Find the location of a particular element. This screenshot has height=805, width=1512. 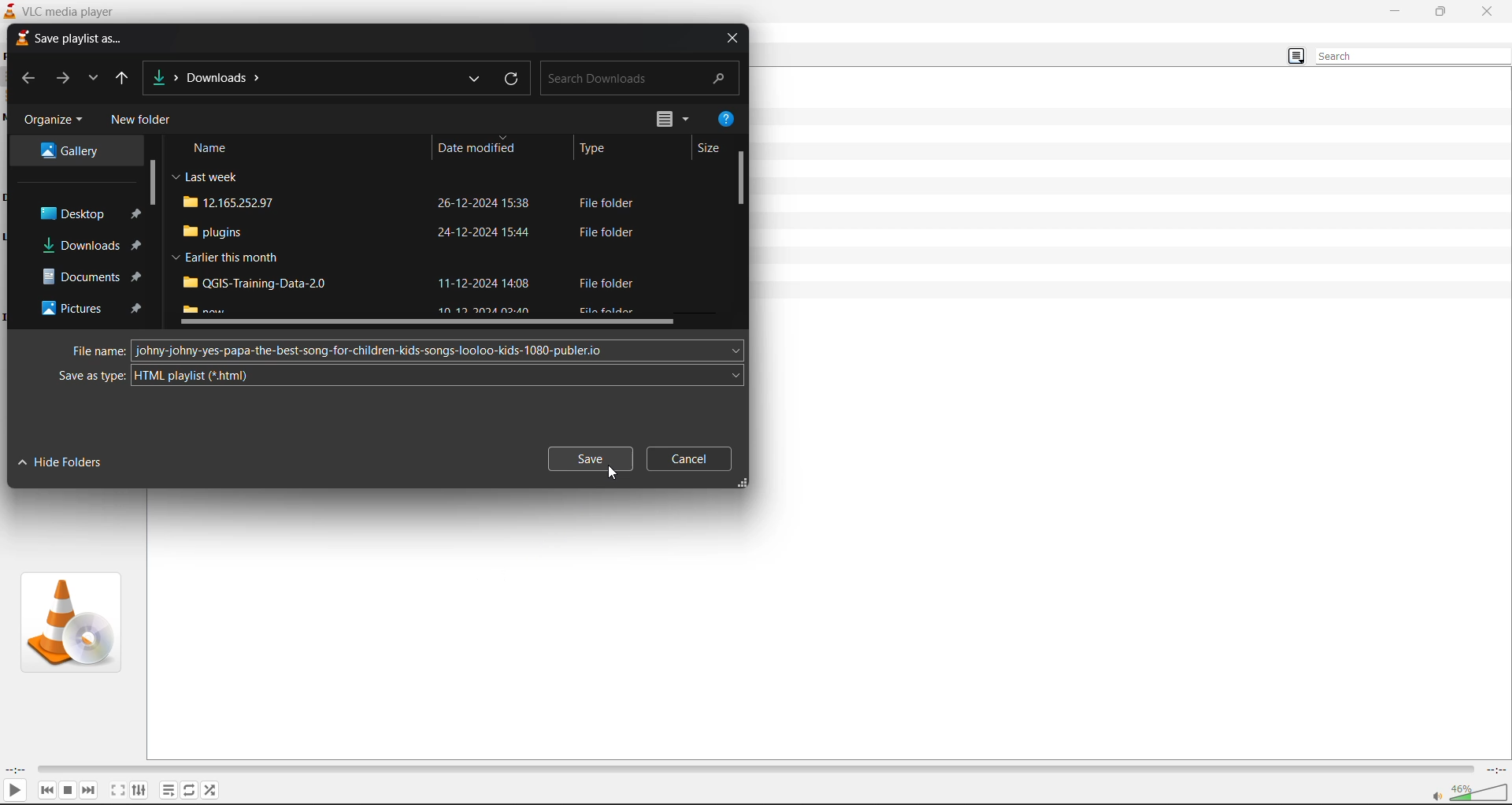

previous is located at coordinates (43, 789).